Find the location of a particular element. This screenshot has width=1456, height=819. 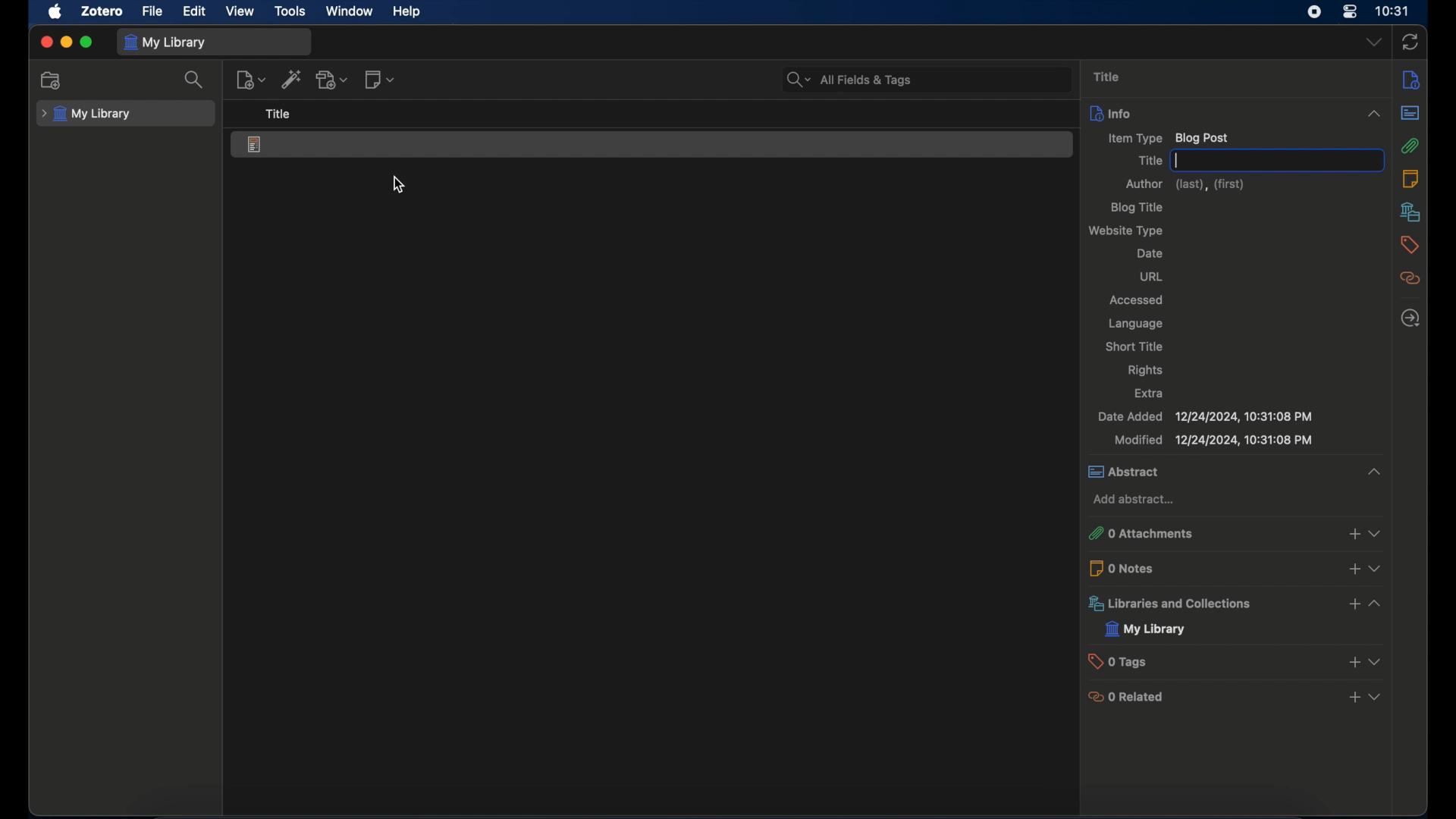

info is located at coordinates (1412, 79).